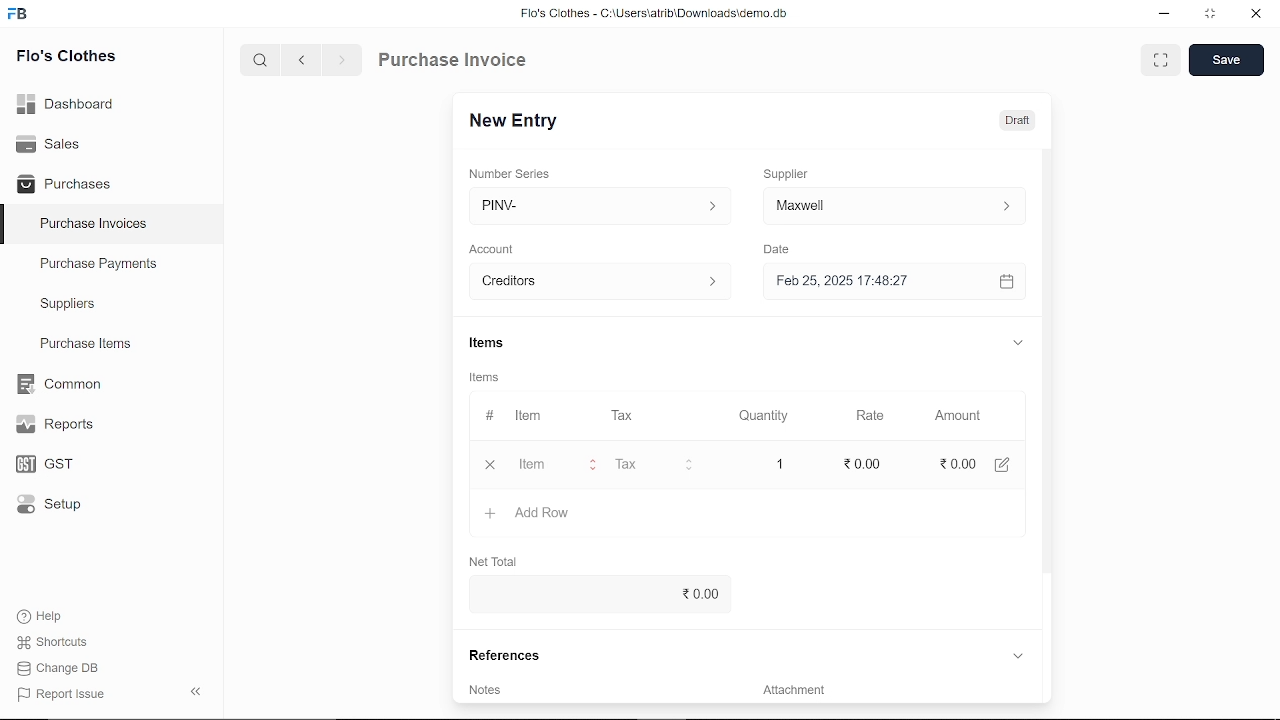 This screenshot has width=1280, height=720. What do you see at coordinates (654, 464) in the screenshot?
I see `input Tax` at bounding box center [654, 464].